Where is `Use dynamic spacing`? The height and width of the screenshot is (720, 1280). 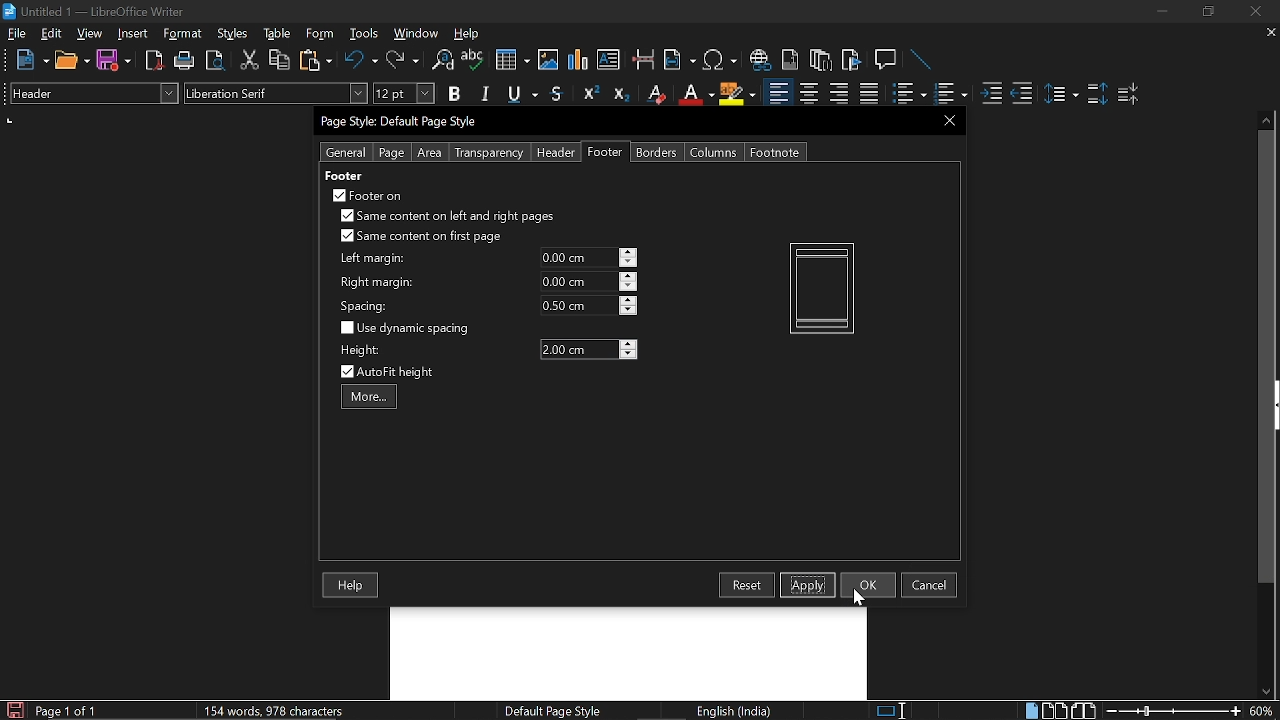
Use dynamic spacing is located at coordinates (408, 328).